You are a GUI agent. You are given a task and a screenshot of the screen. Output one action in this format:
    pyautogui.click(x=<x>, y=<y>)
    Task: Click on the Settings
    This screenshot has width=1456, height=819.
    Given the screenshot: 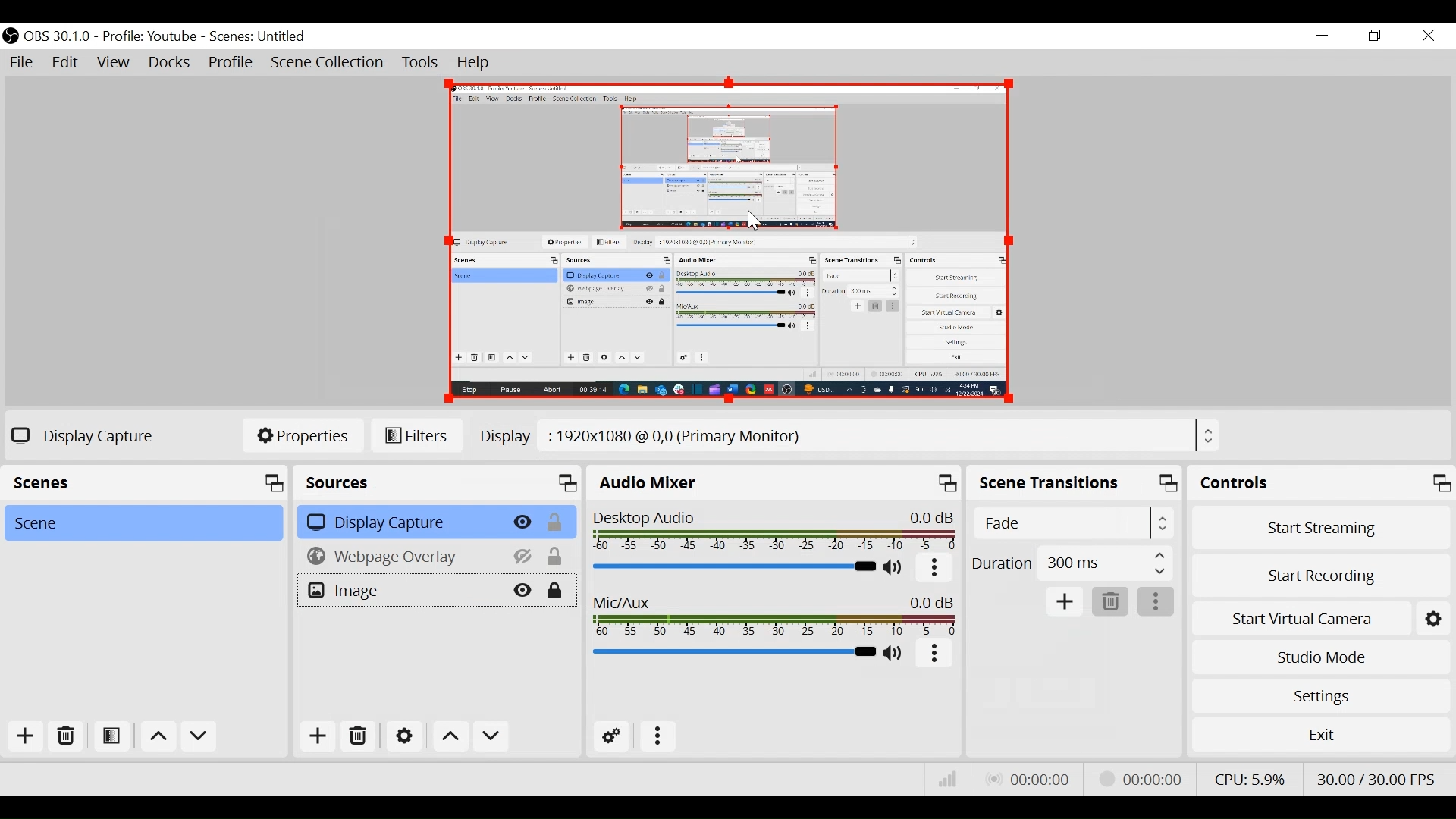 What is the action you would take?
    pyautogui.click(x=1321, y=696)
    